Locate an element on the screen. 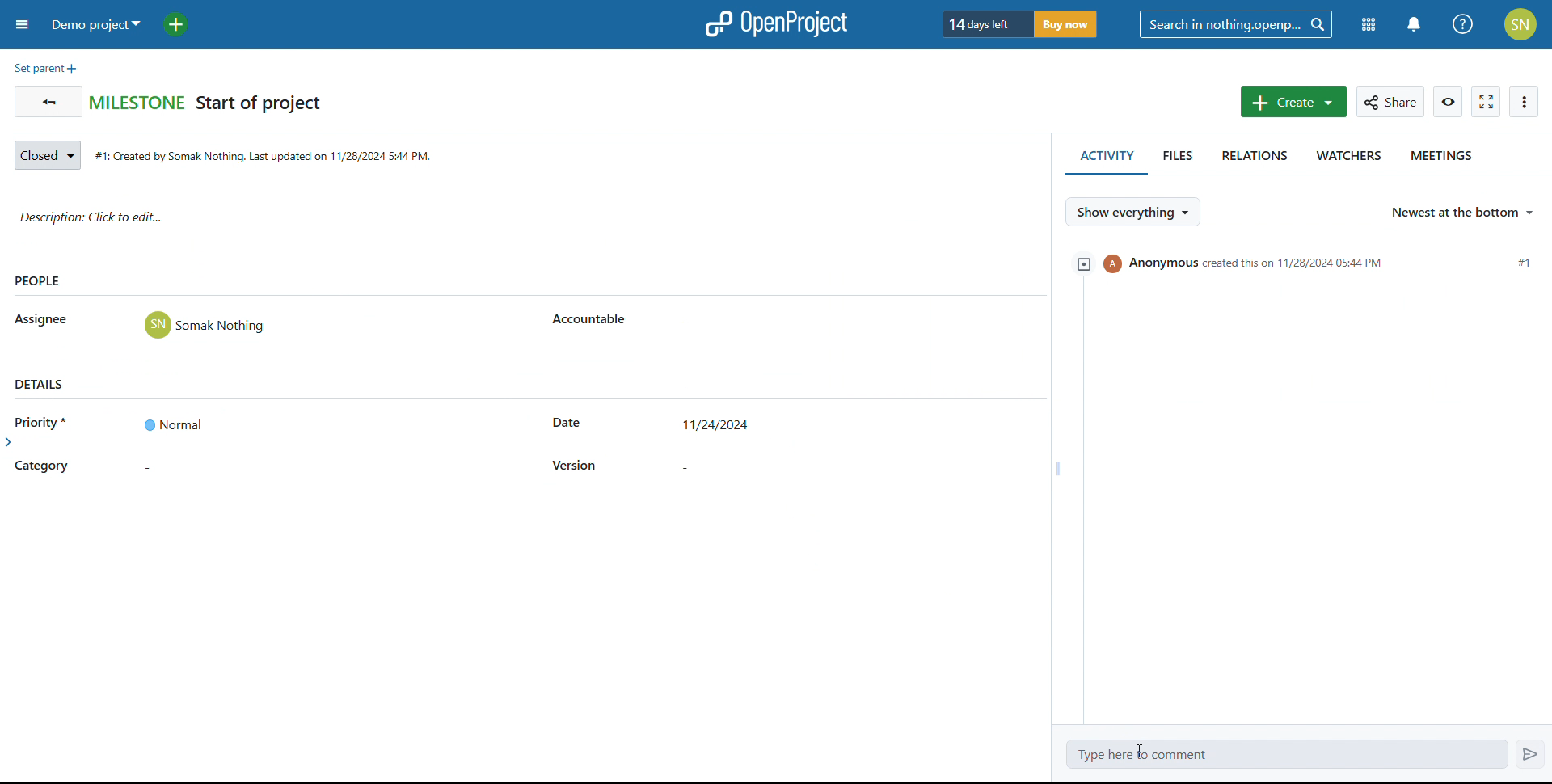 The width and height of the screenshot is (1552, 784). set status is located at coordinates (47, 156).